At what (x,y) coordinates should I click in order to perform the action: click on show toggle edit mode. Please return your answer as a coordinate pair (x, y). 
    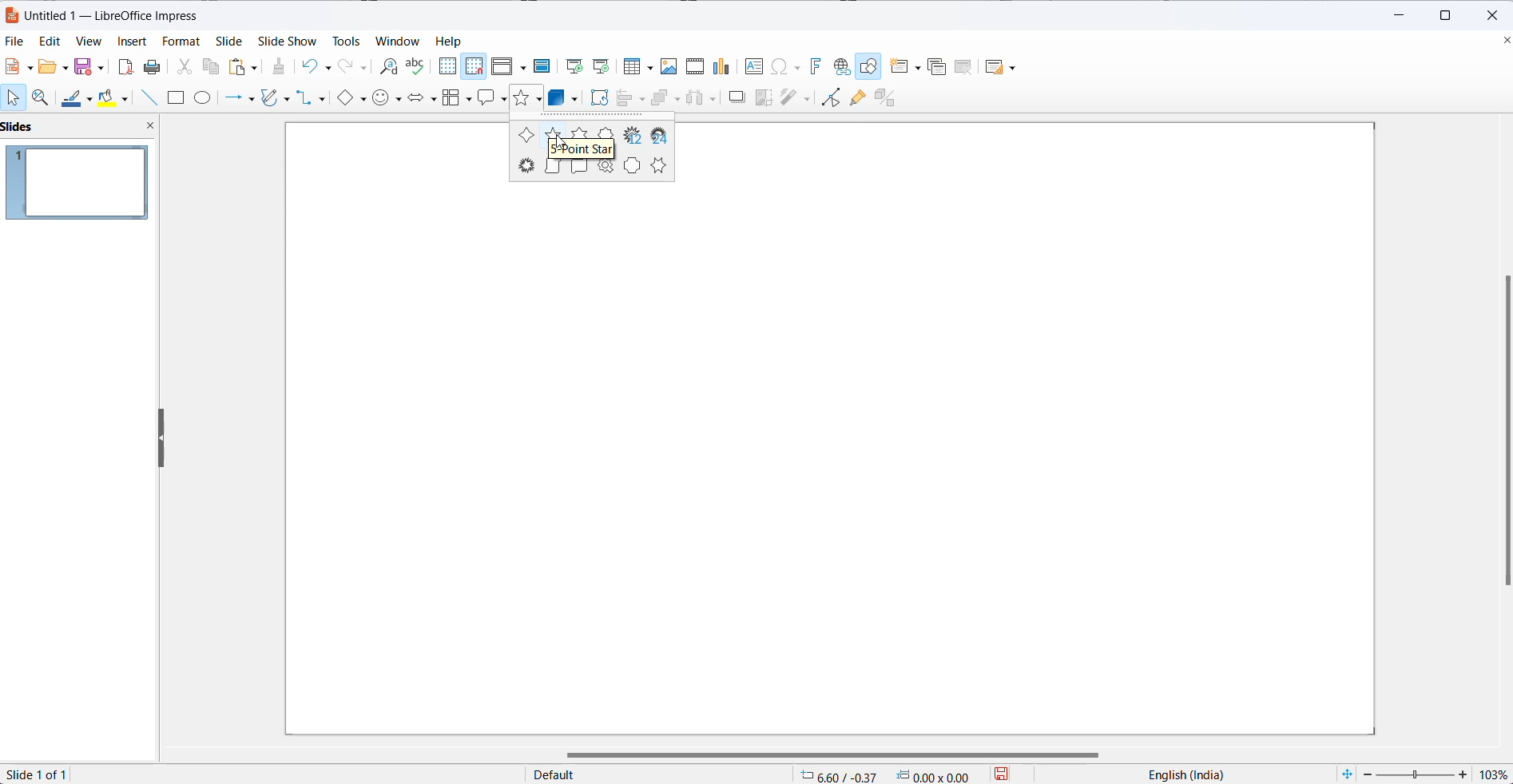
    Looking at the image, I should click on (829, 100).